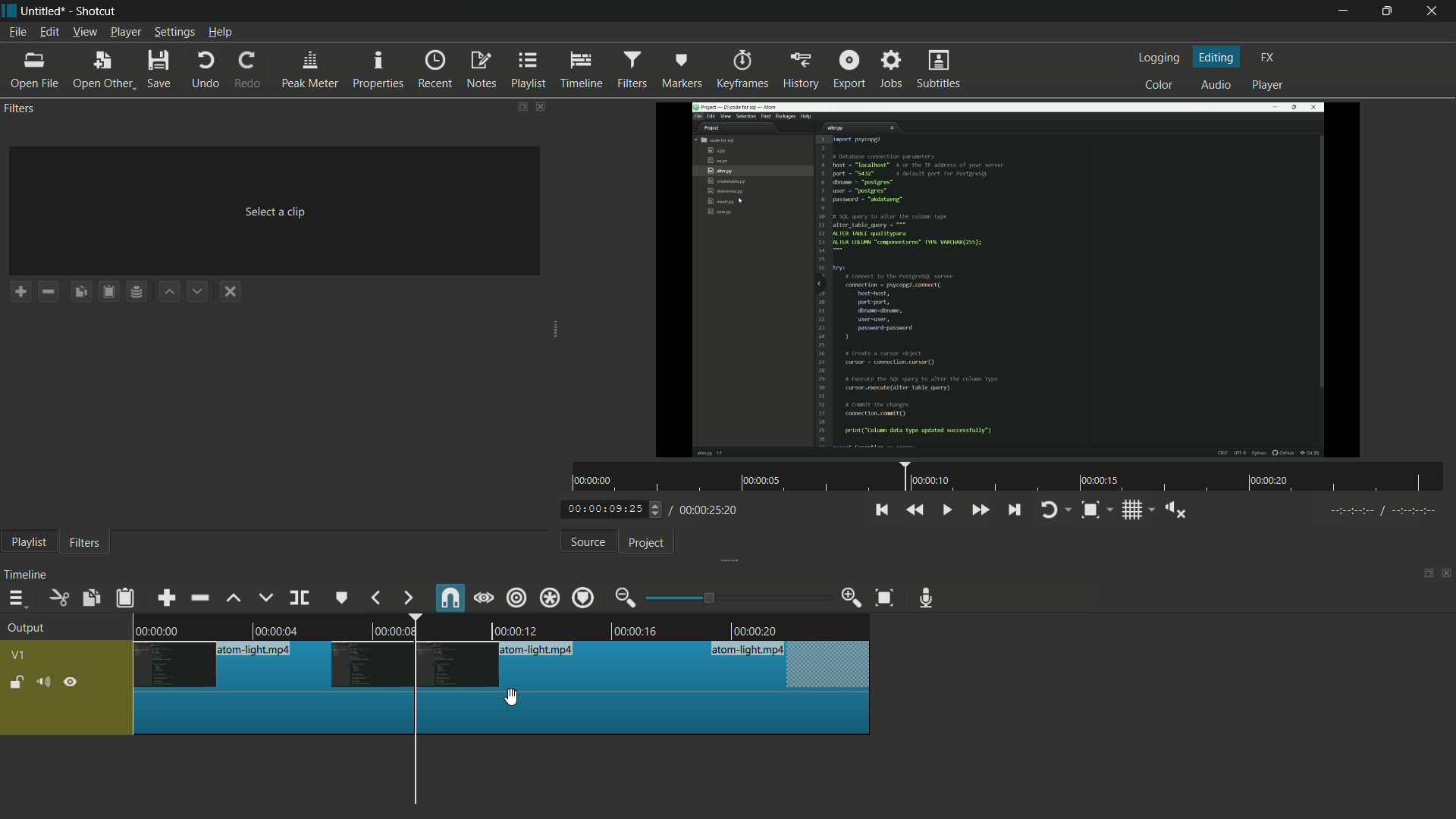  Describe the element at coordinates (517, 599) in the screenshot. I see `ripple` at that location.